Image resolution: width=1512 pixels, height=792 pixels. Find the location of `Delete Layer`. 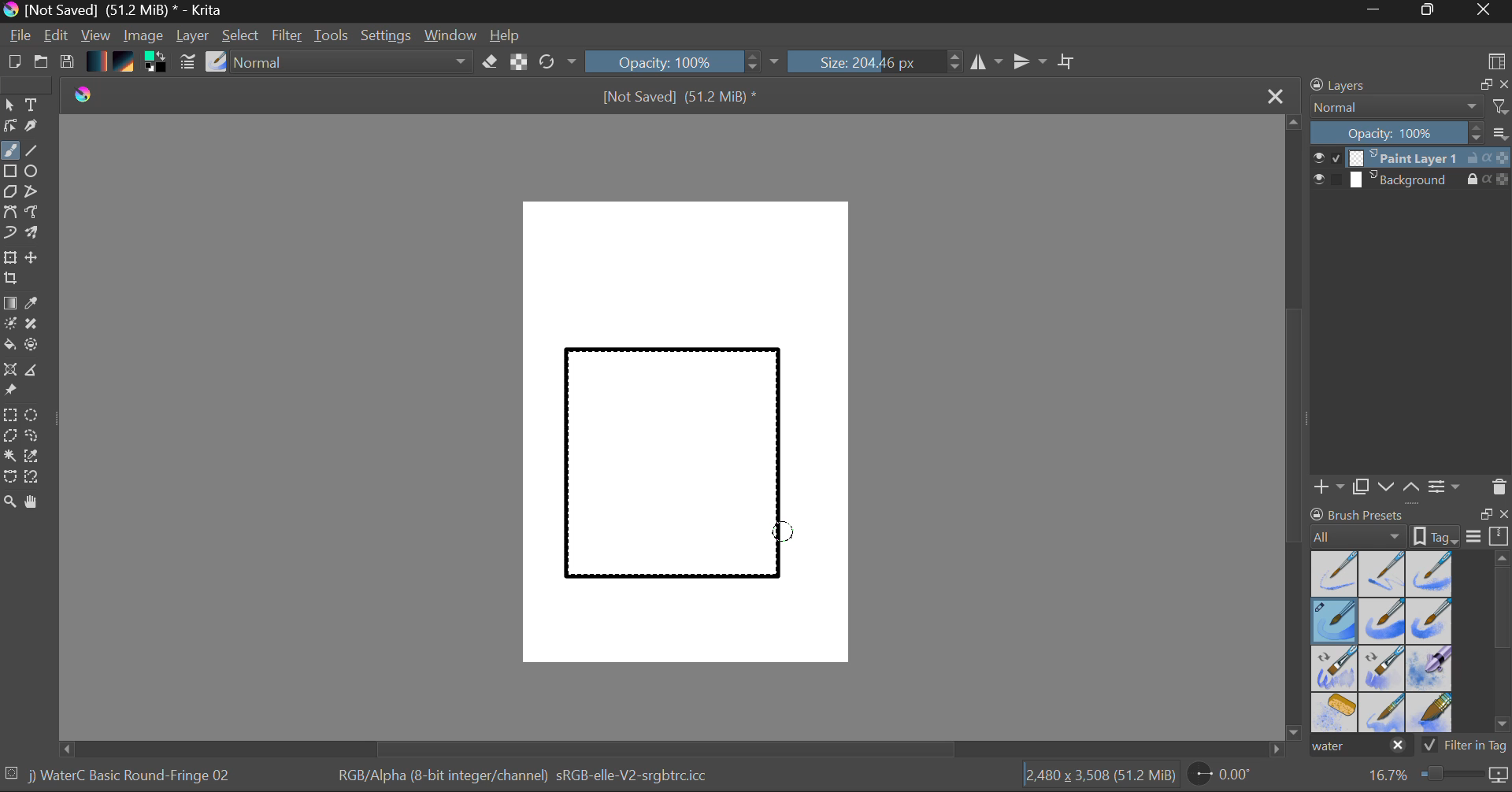

Delete Layer is located at coordinates (1499, 487).